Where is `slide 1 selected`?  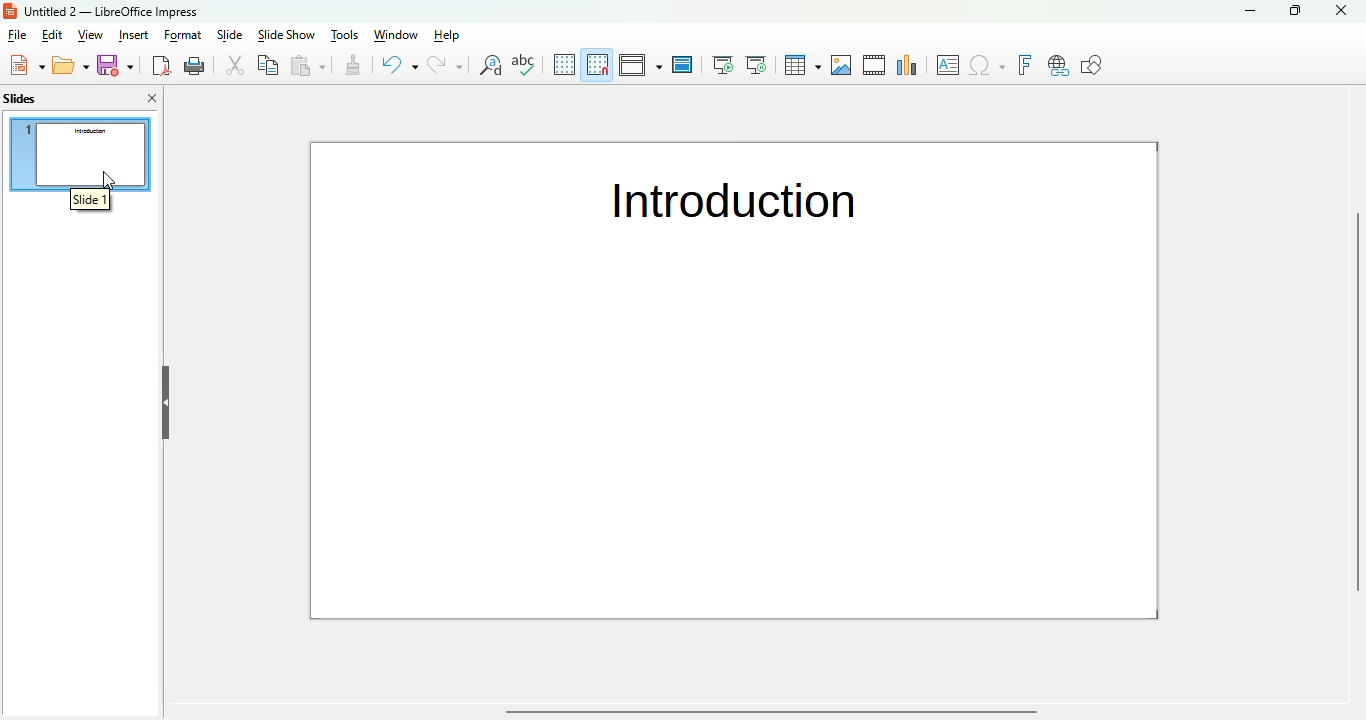 slide 1 selected is located at coordinates (80, 151).